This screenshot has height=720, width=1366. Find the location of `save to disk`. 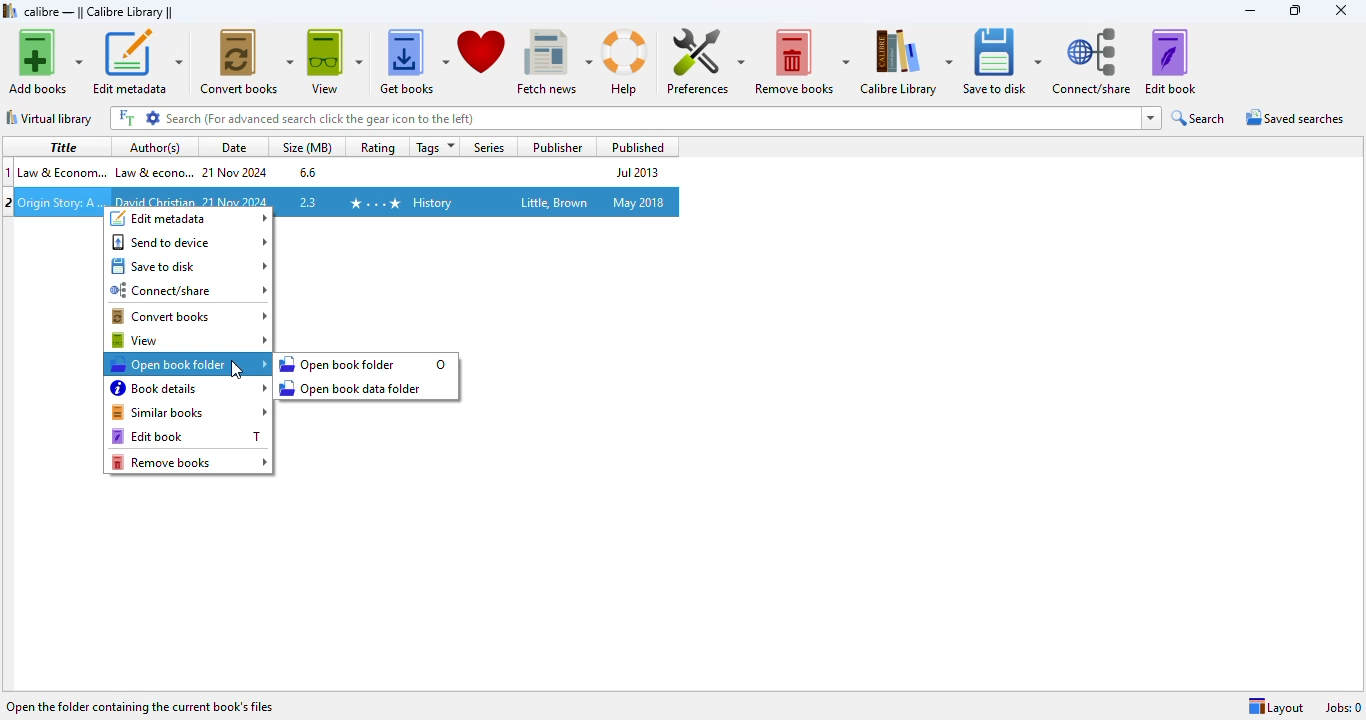

save to disk is located at coordinates (190, 266).